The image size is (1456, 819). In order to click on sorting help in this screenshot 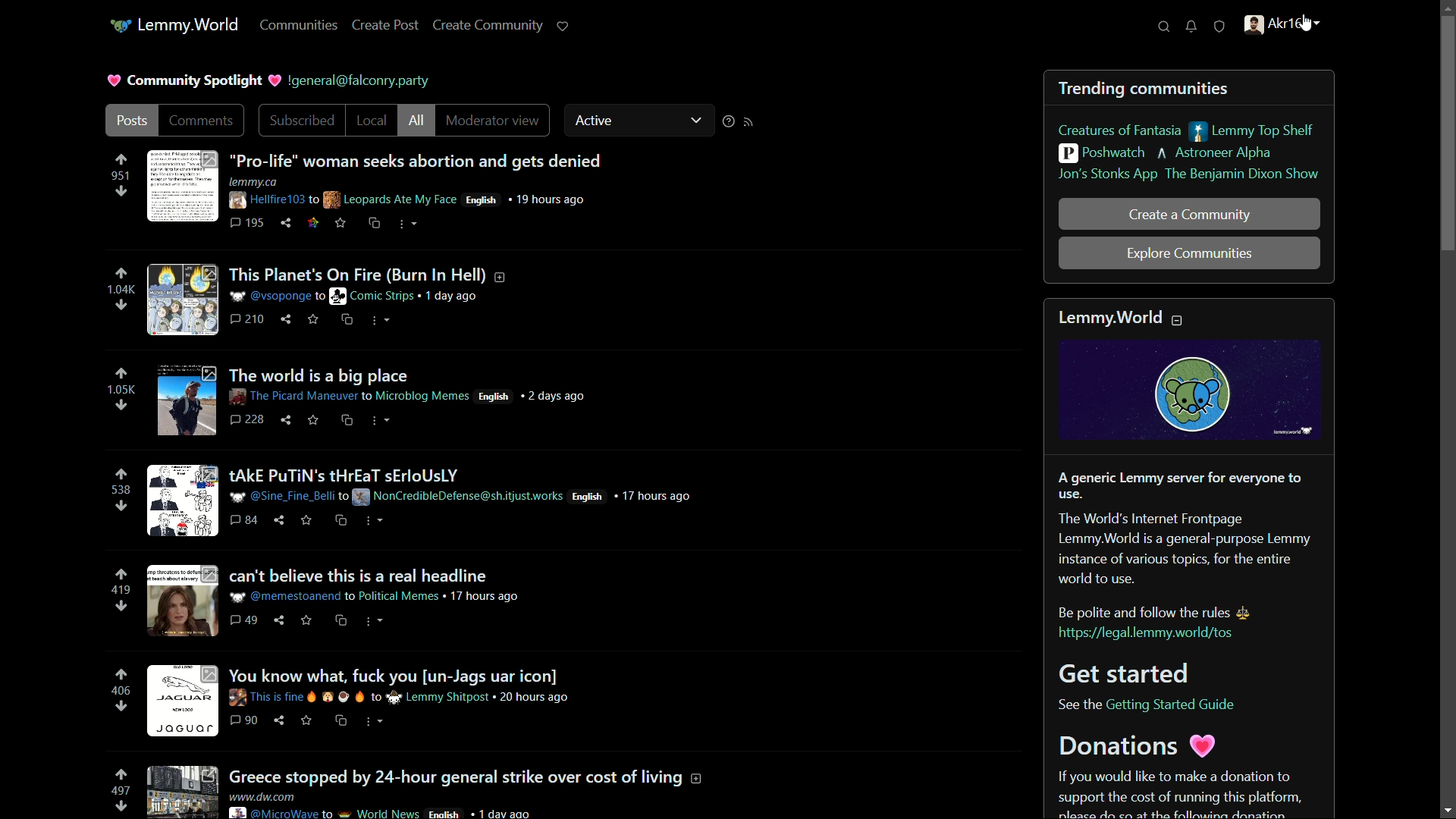, I will do `click(726, 121)`.